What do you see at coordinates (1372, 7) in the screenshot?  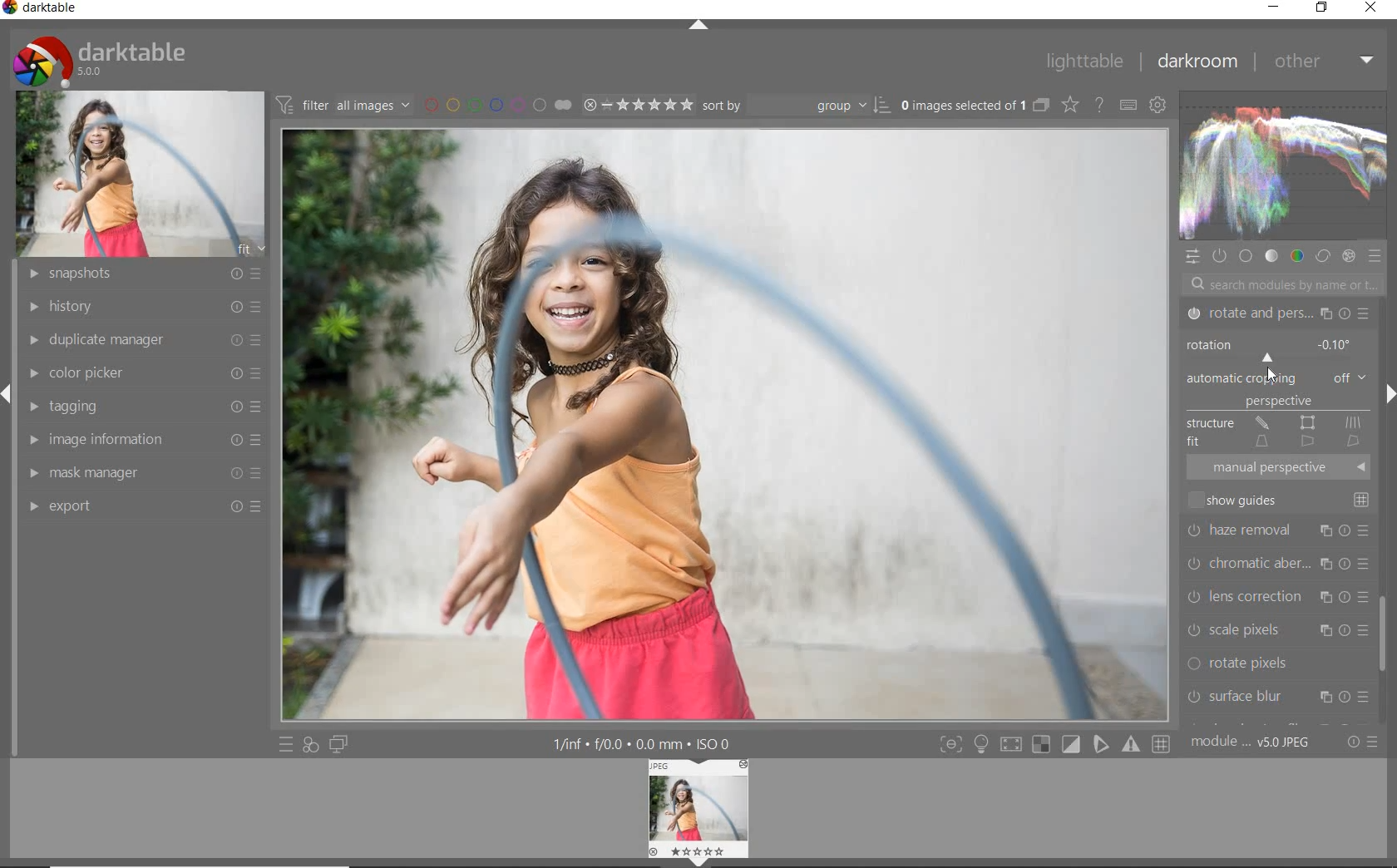 I see `close` at bounding box center [1372, 7].